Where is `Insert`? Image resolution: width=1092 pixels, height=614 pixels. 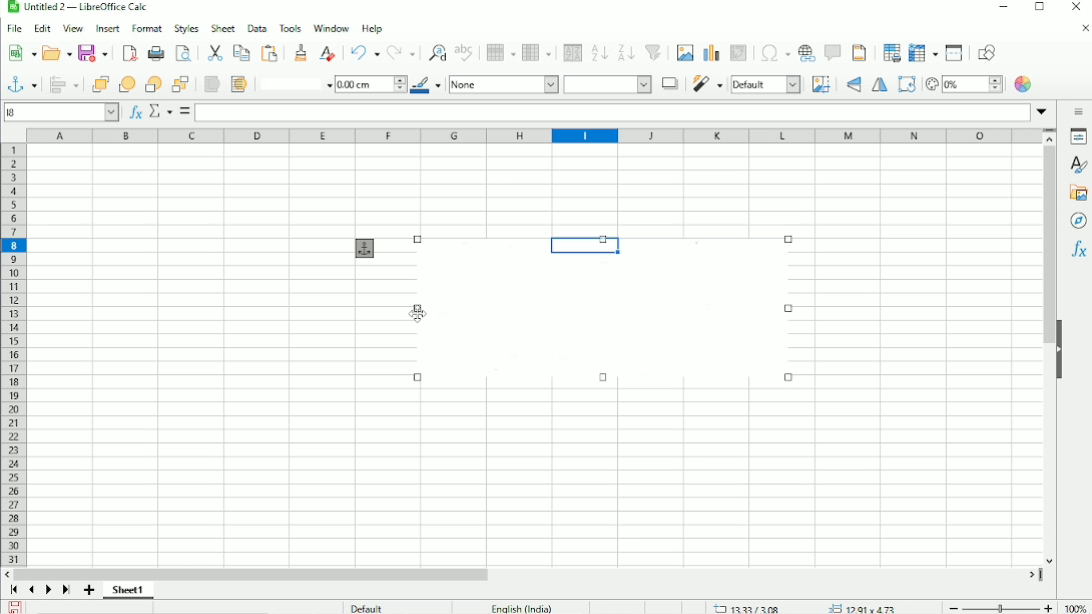 Insert is located at coordinates (106, 29).